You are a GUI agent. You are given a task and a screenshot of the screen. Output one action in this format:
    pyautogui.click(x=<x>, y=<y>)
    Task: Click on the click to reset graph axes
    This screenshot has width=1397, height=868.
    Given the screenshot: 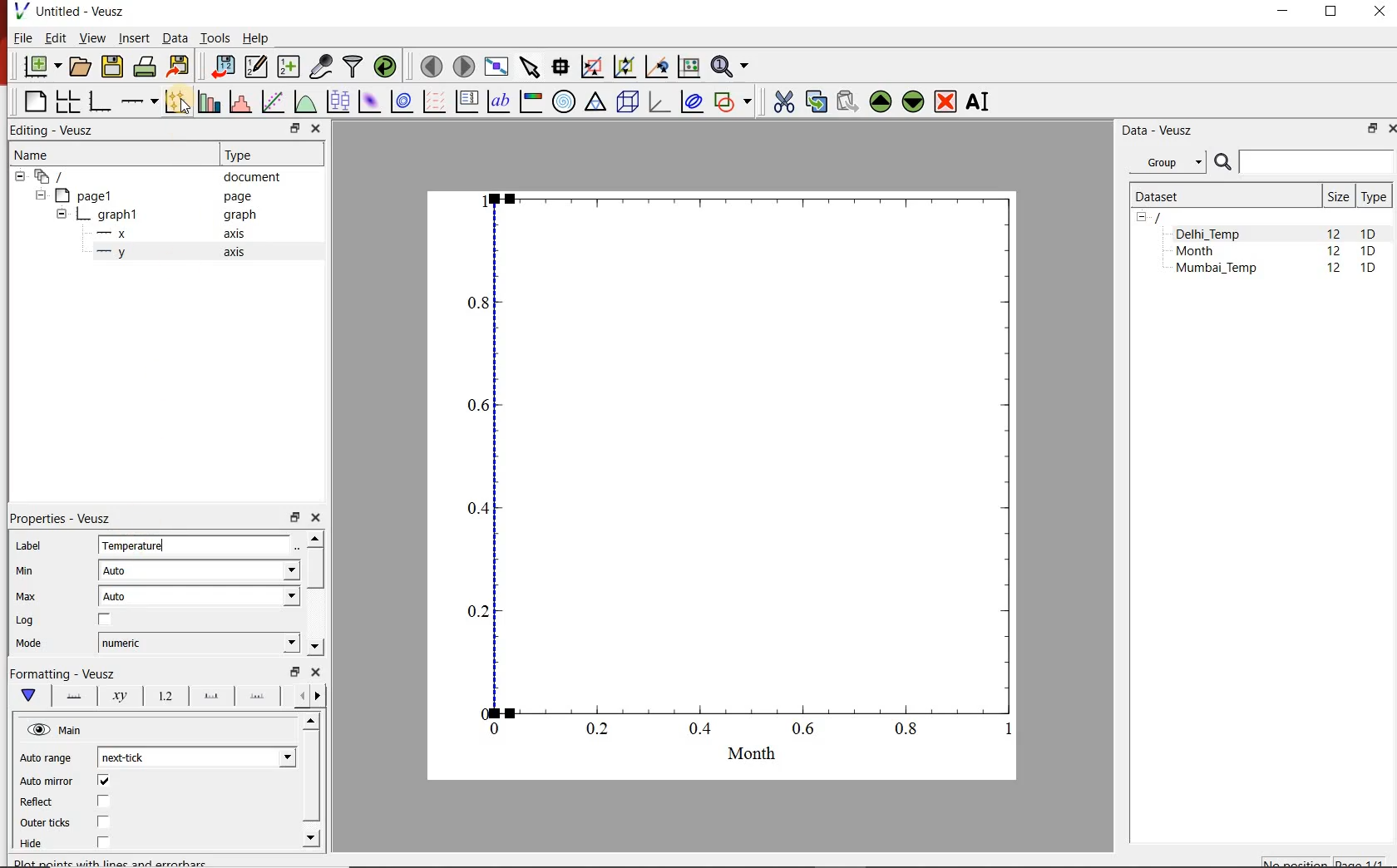 What is the action you would take?
    pyautogui.click(x=689, y=67)
    